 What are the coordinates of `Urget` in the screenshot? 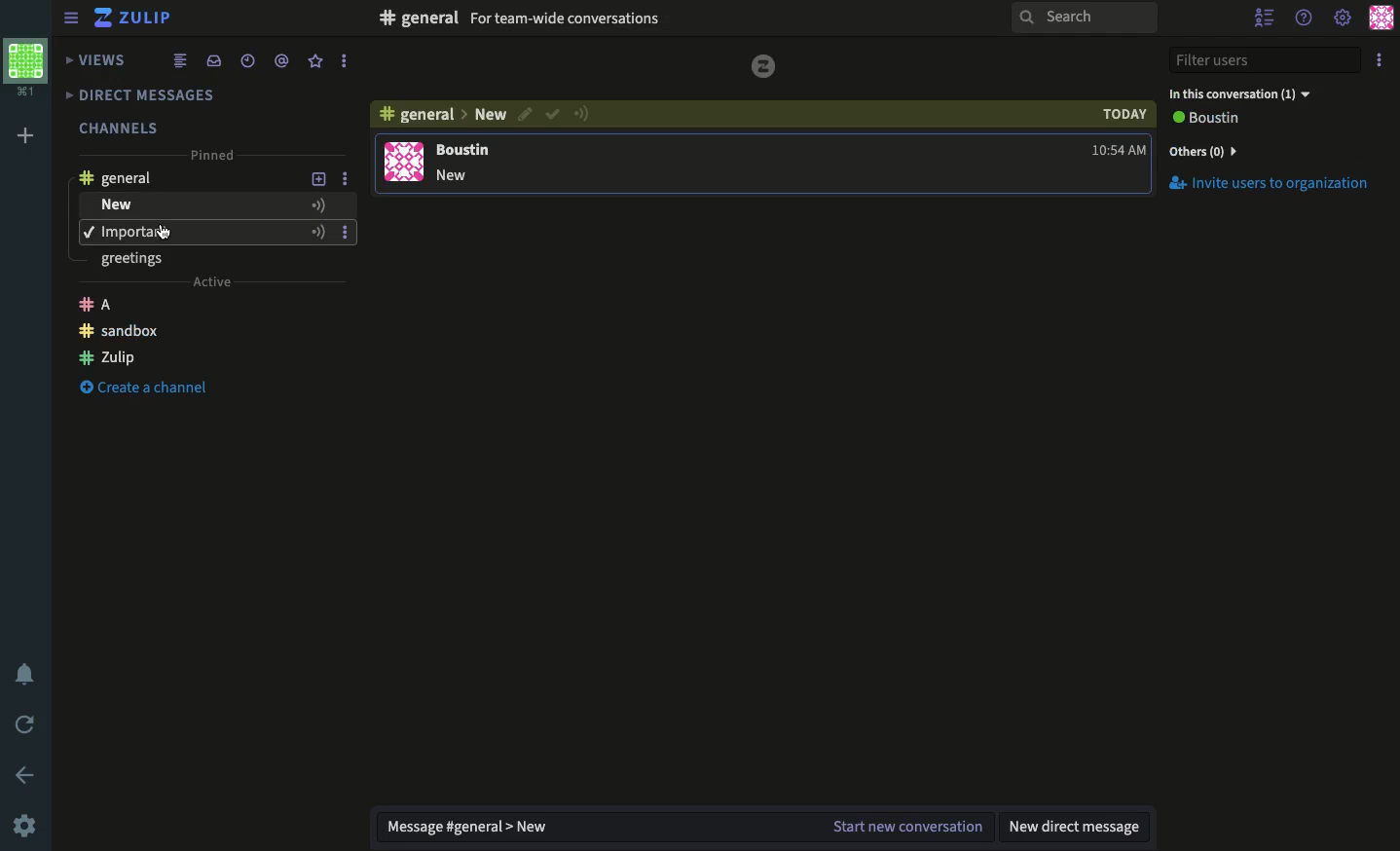 It's located at (583, 115).